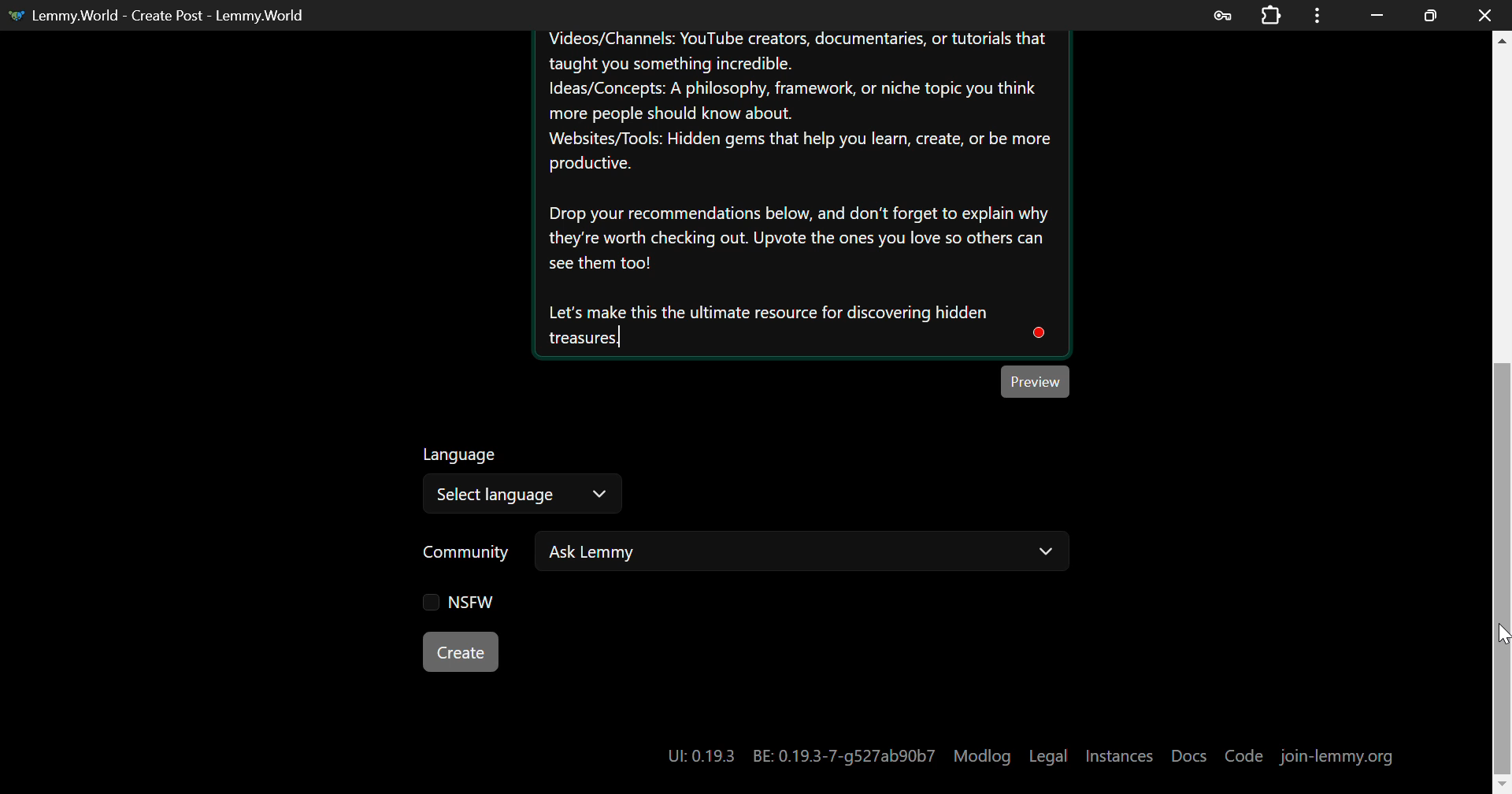 This screenshot has height=794, width=1512. Describe the element at coordinates (452, 603) in the screenshot. I see `NSFW Checkbox` at that location.